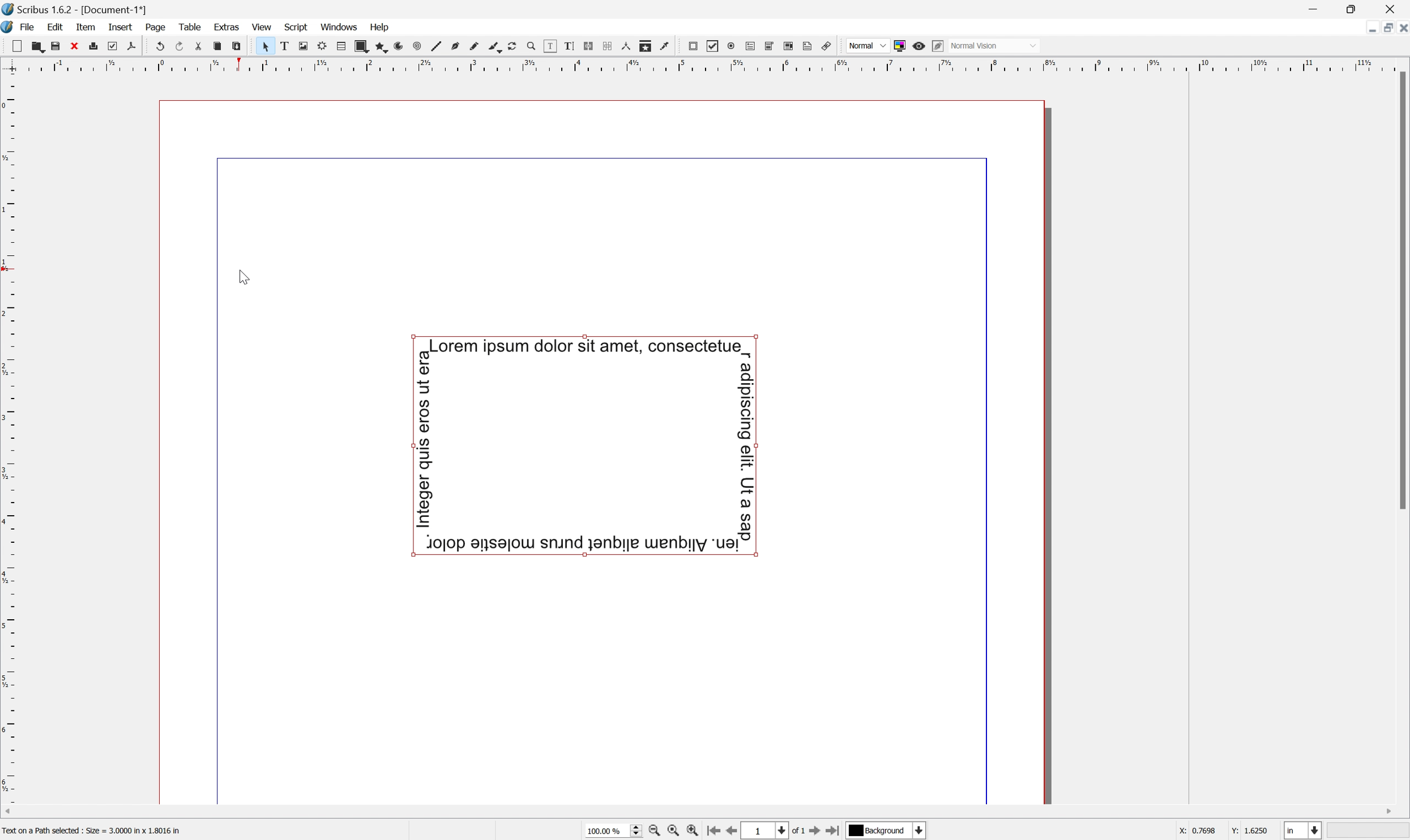  Describe the element at coordinates (92, 831) in the screenshot. I see `Text on a path selected : Size = 3.000 in 1.8016 in` at that location.